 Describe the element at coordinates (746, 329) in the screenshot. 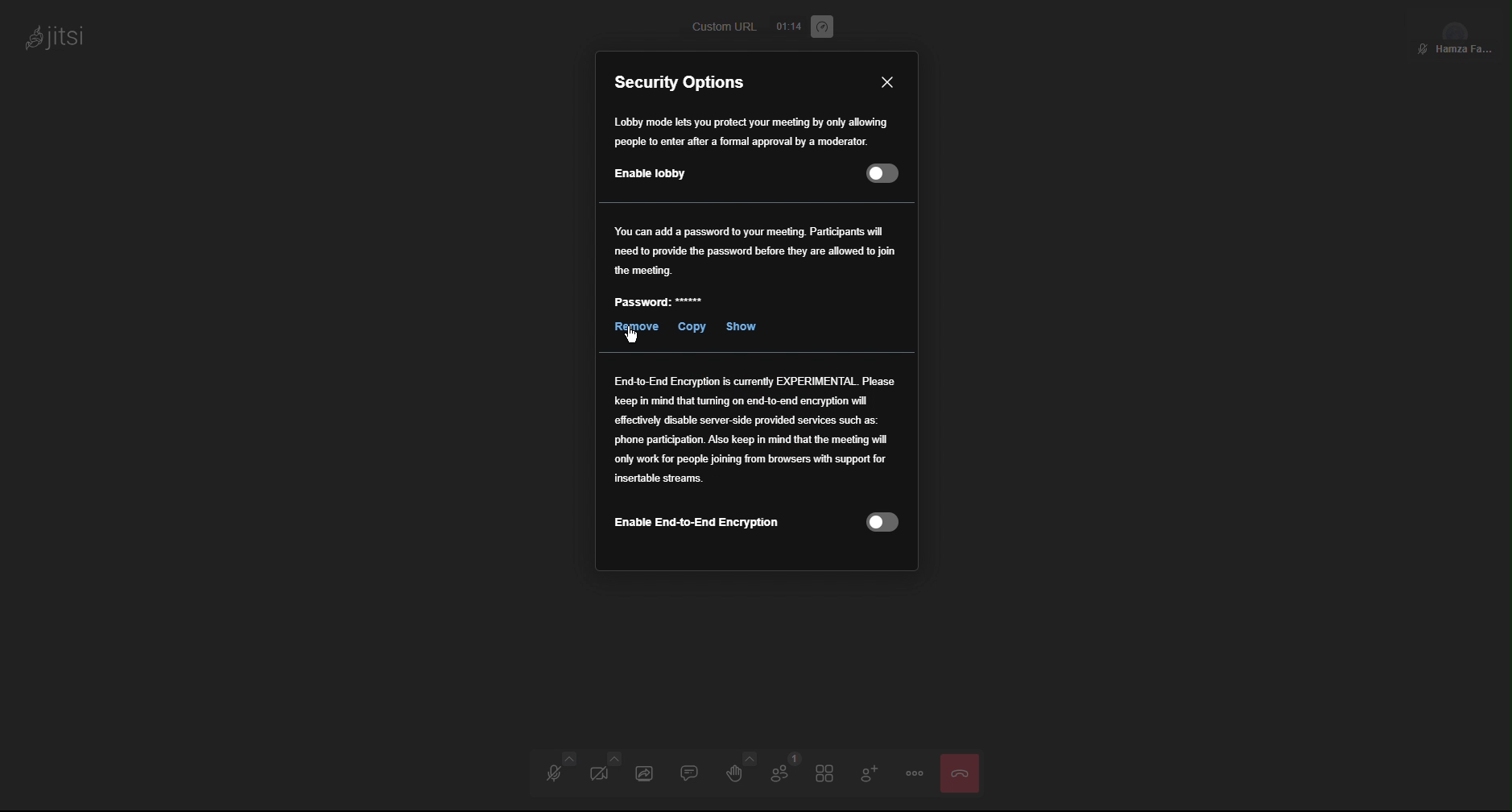

I see `Show` at that location.